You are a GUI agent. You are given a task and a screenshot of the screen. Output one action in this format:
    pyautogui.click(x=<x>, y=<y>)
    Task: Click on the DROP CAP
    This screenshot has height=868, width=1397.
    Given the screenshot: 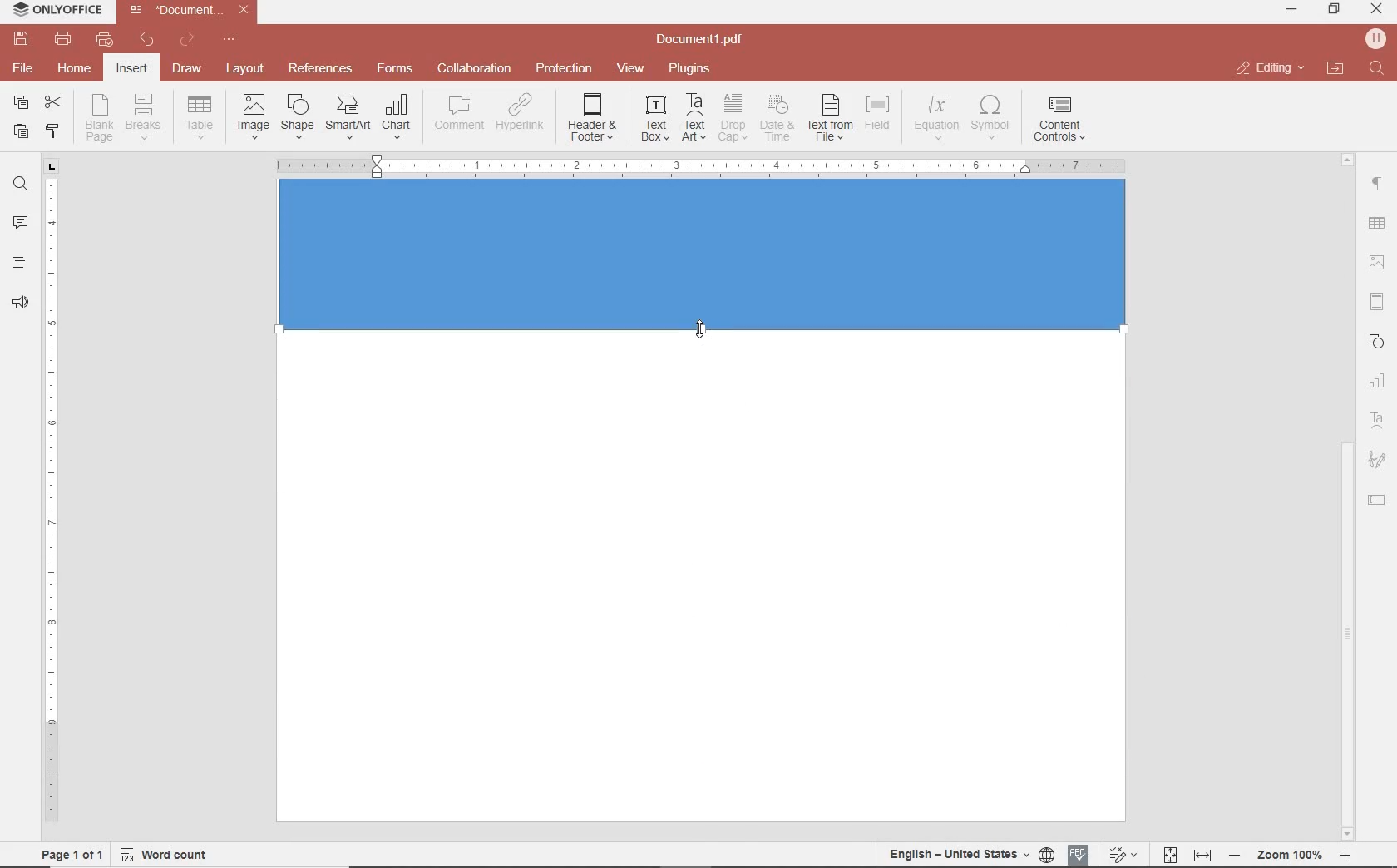 What is the action you would take?
    pyautogui.click(x=733, y=118)
    